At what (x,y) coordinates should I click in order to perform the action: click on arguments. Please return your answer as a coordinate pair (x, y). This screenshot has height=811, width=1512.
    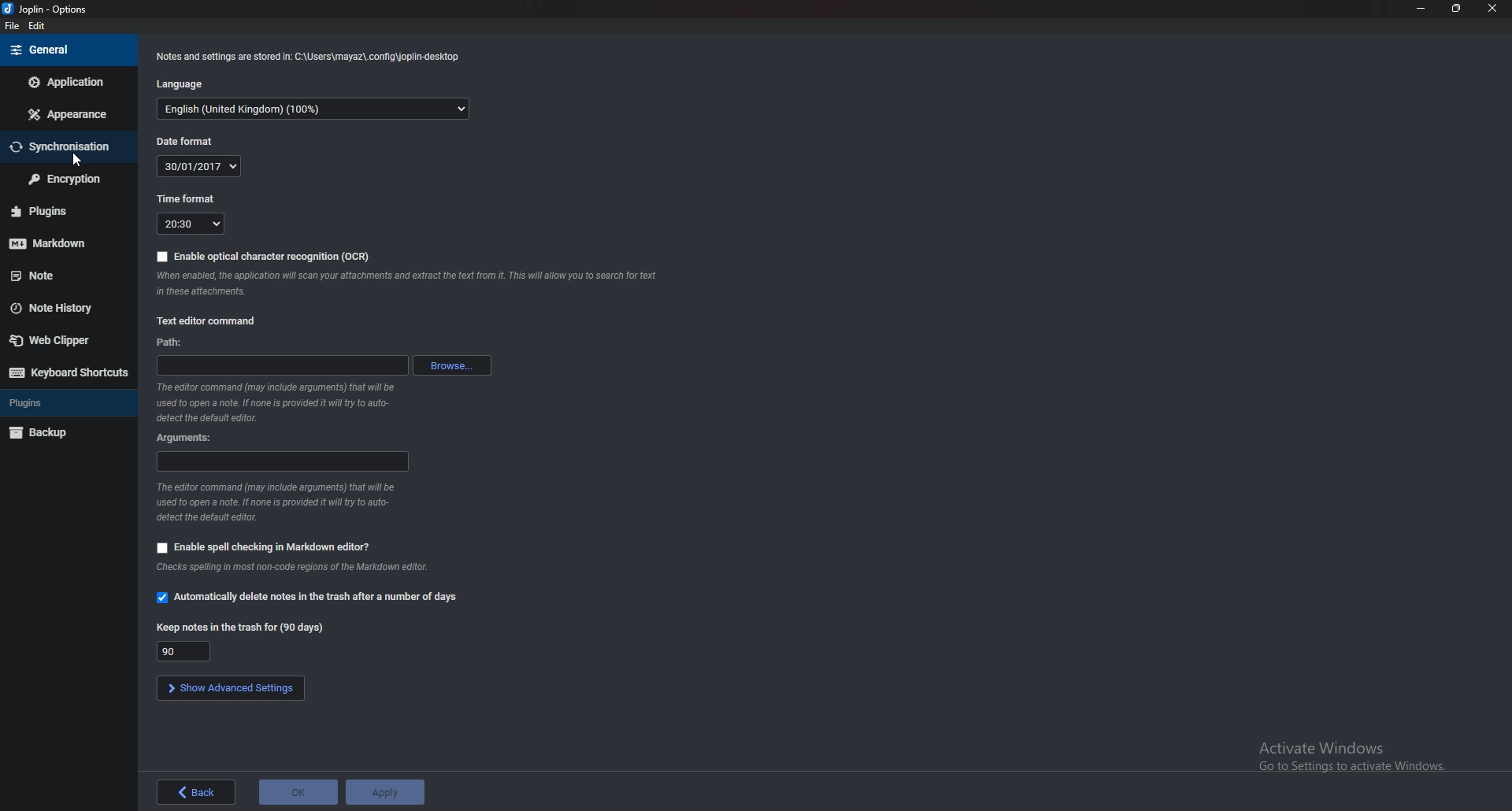
    Looking at the image, I should click on (188, 438).